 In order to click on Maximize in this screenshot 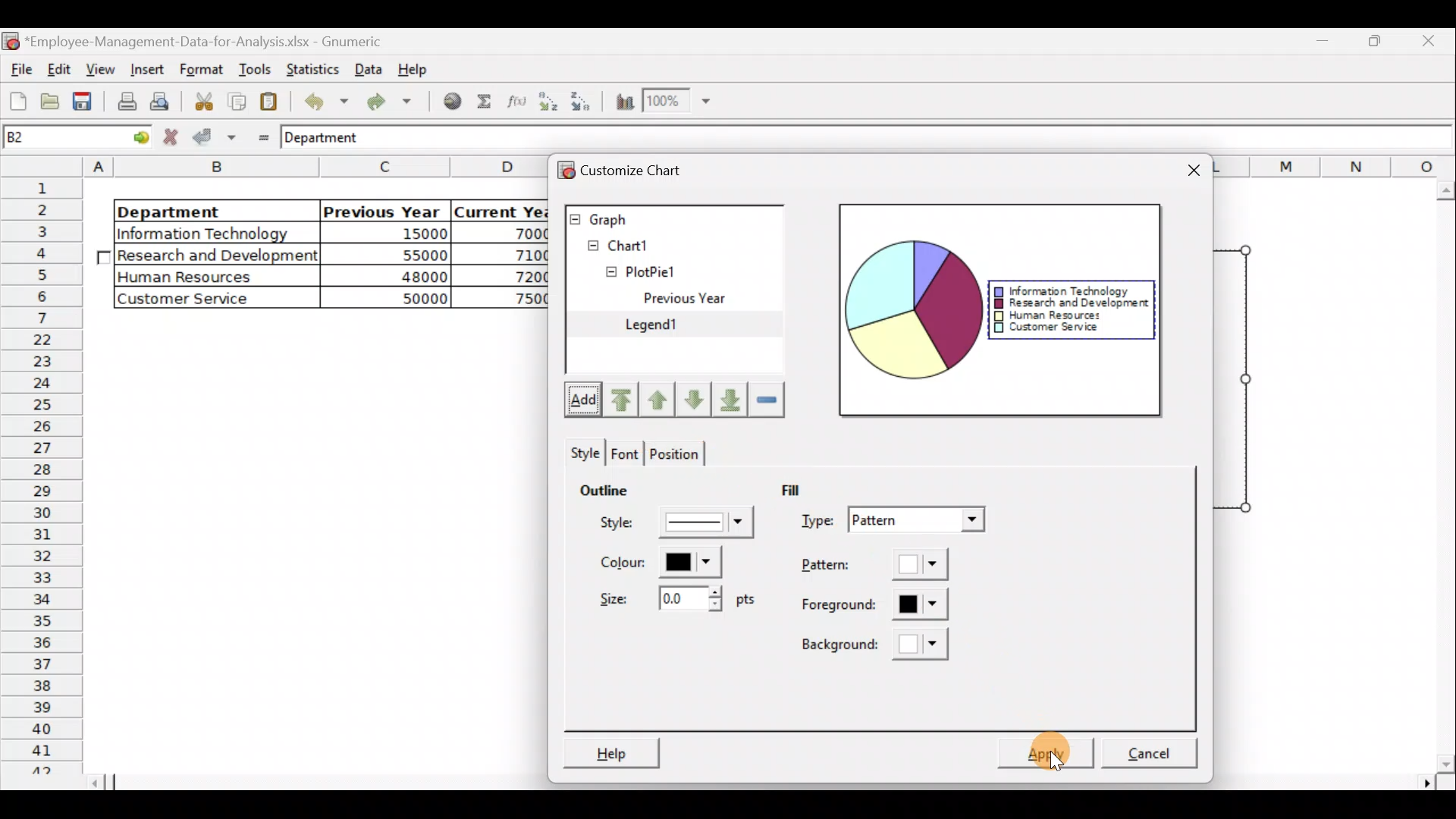, I will do `click(1328, 43)`.